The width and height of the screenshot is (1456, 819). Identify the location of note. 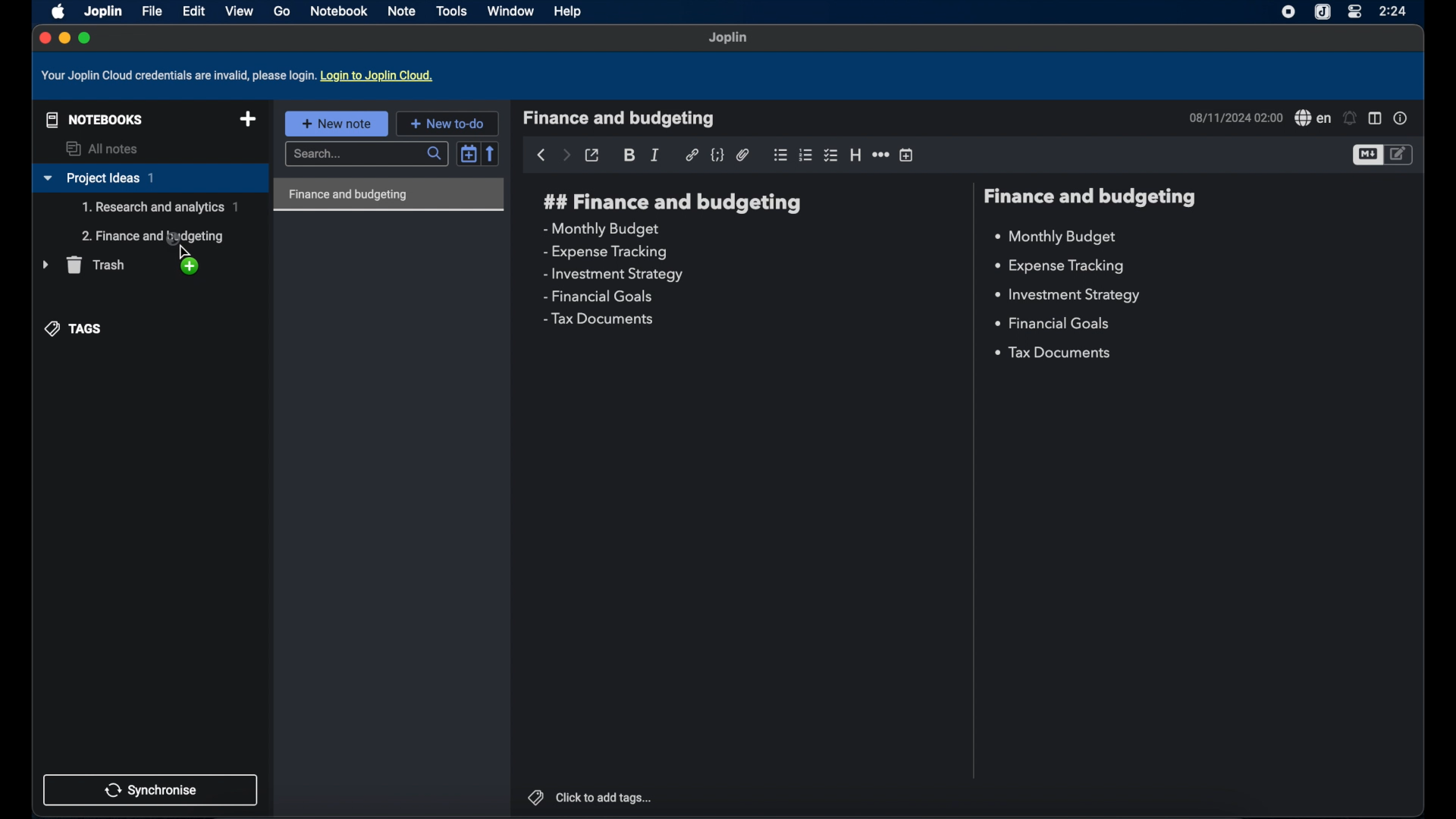
(403, 11).